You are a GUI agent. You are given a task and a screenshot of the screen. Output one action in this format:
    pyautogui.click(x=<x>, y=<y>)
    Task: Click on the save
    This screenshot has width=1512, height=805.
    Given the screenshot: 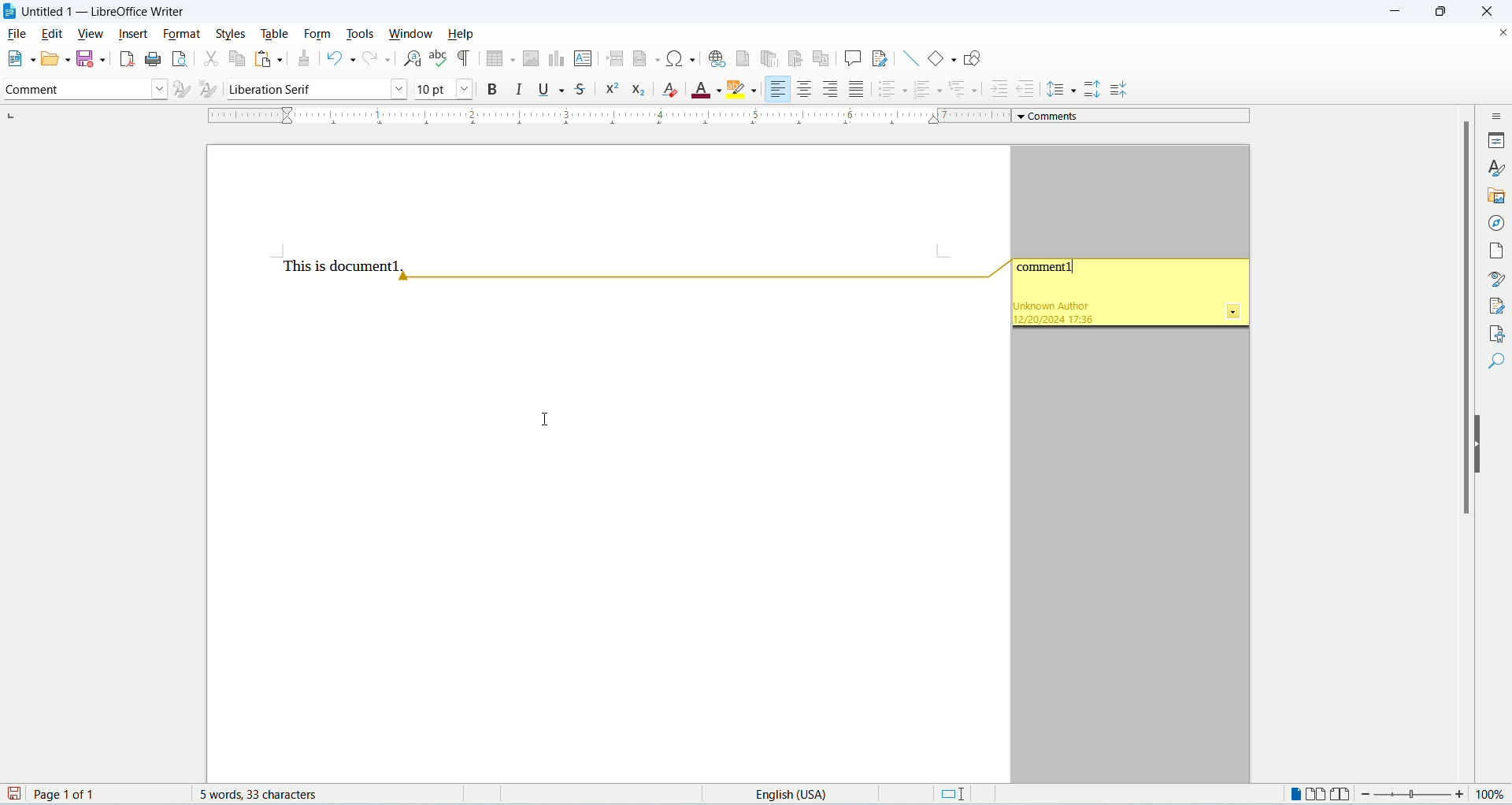 What is the action you would take?
    pyautogui.click(x=14, y=795)
    